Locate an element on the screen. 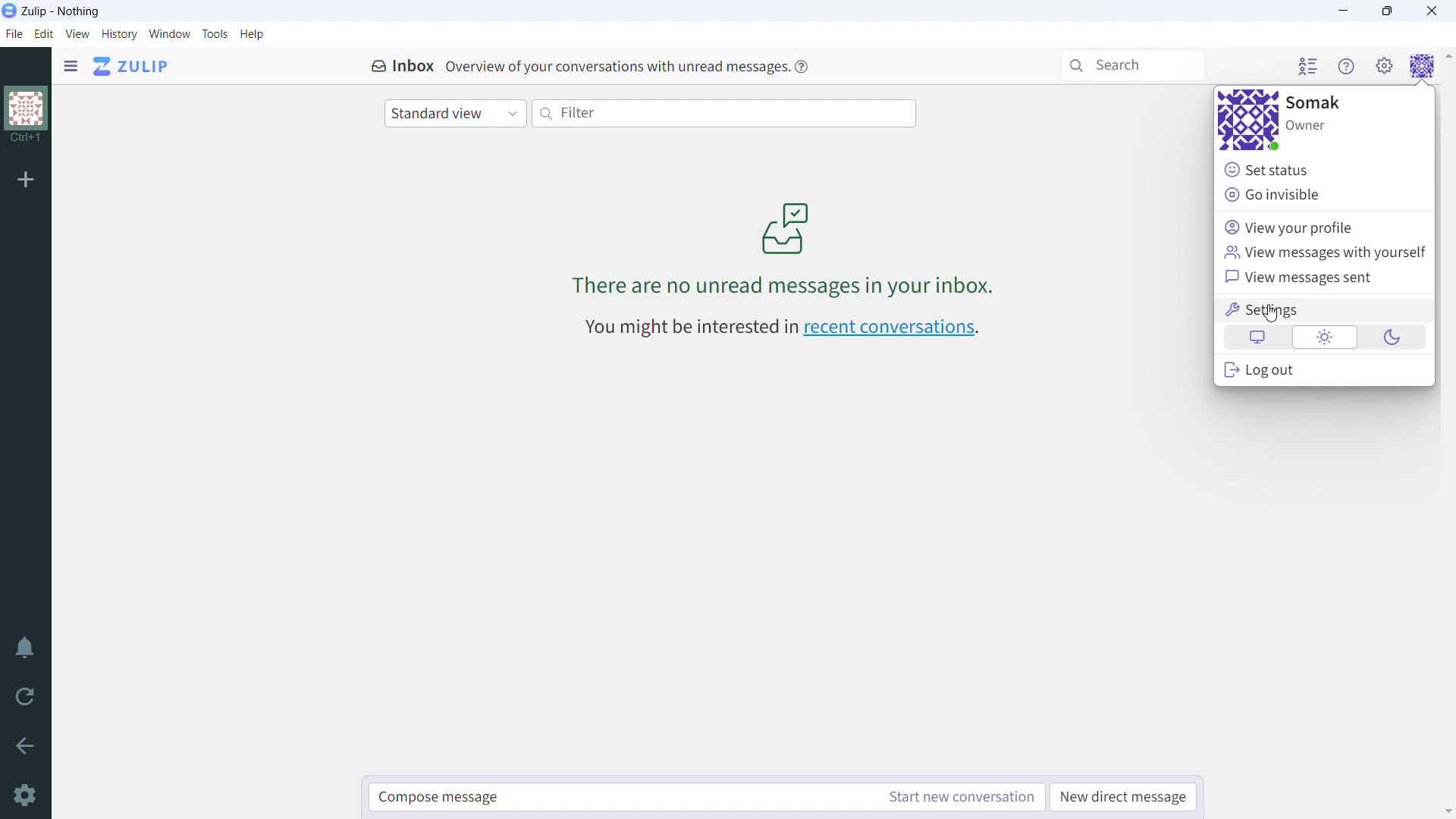  window is located at coordinates (171, 34).